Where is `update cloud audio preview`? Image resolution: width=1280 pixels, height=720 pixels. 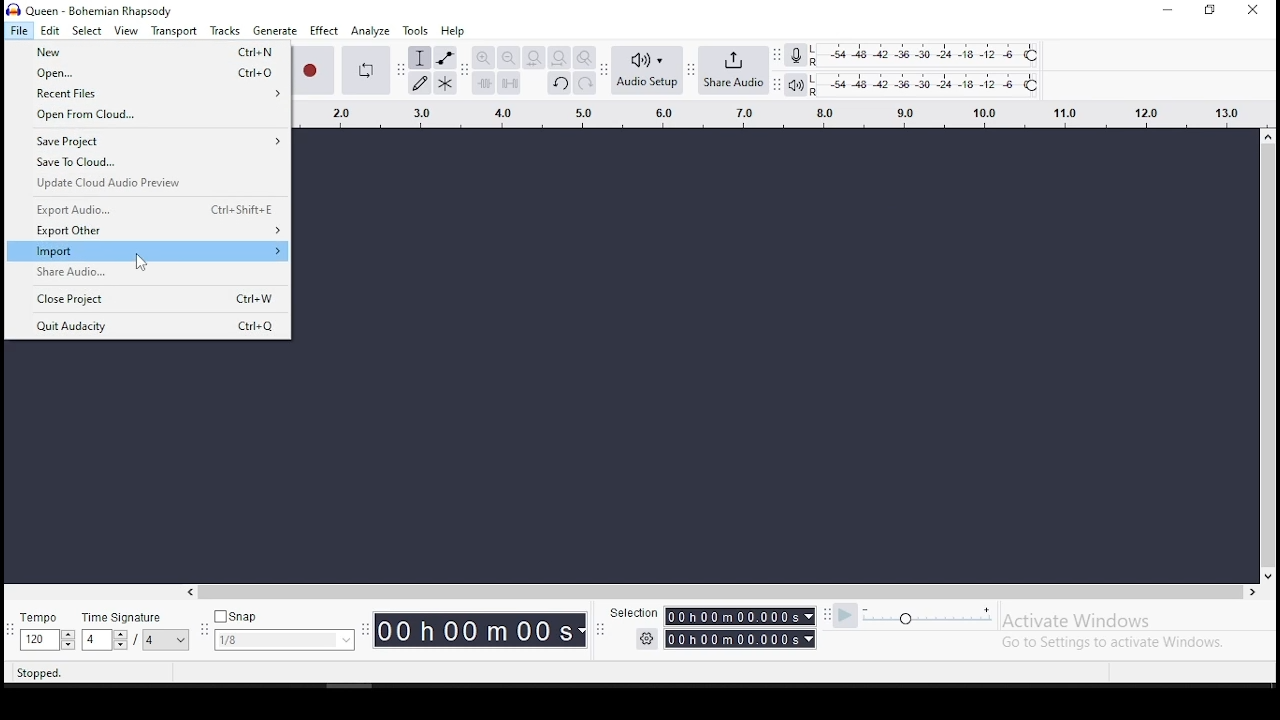
update cloud audio preview is located at coordinates (147, 184).